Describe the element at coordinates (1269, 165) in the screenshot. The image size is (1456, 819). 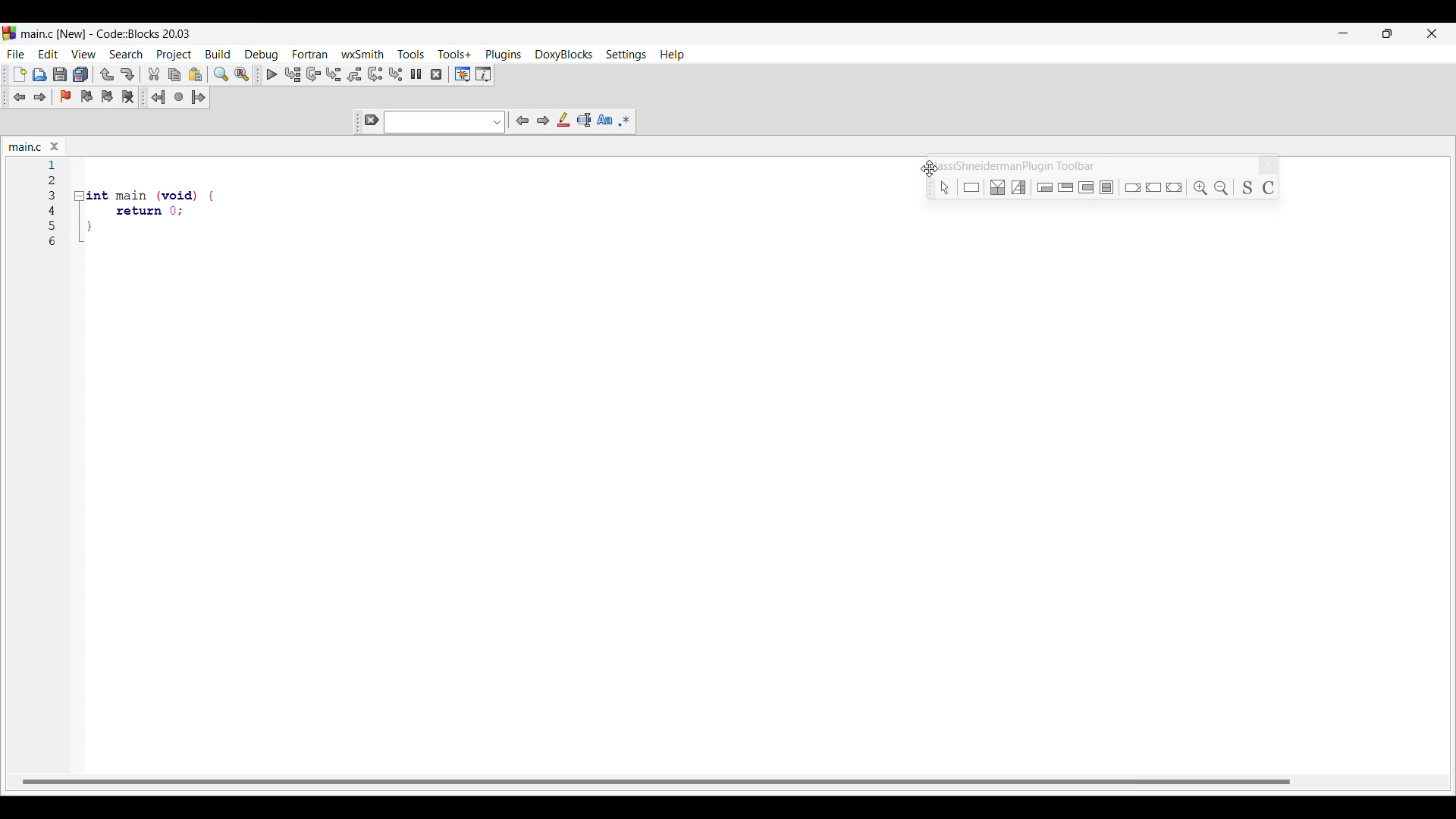
I see `Close toolbar` at that location.